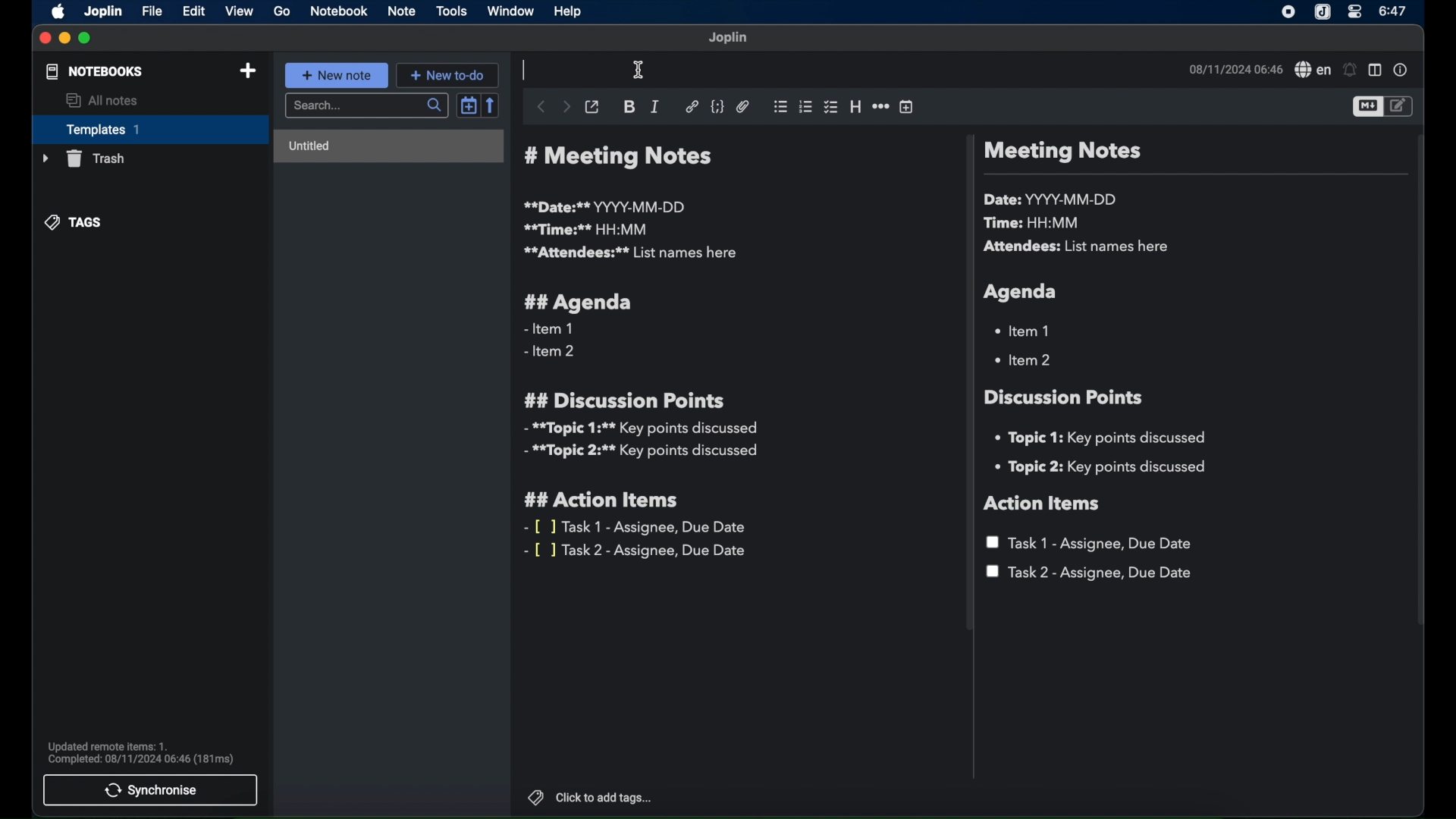 The image size is (1456, 819). Describe the element at coordinates (1025, 330) in the screenshot. I see `item 1` at that location.